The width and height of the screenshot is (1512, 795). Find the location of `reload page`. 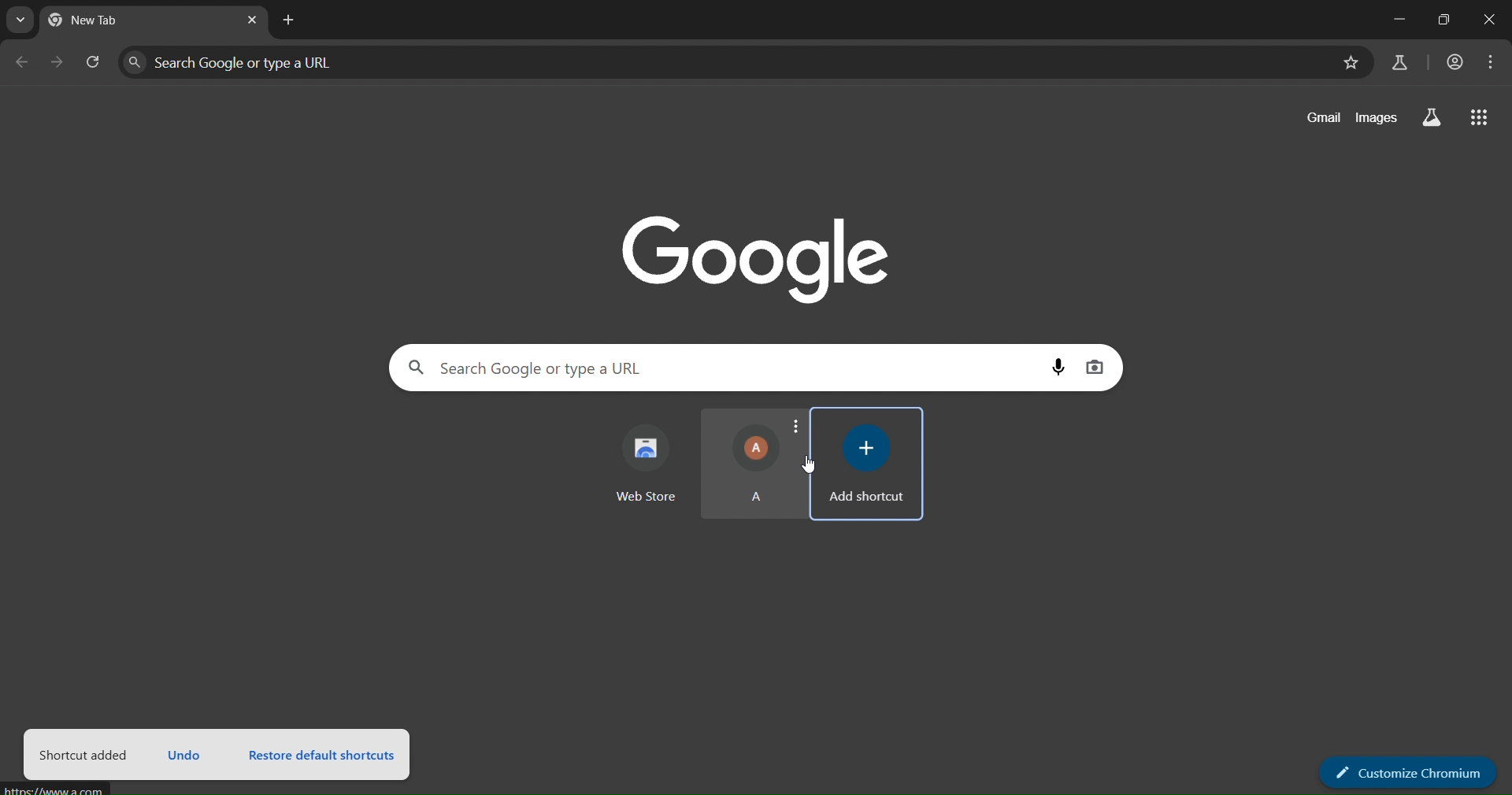

reload page is located at coordinates (94, 66).